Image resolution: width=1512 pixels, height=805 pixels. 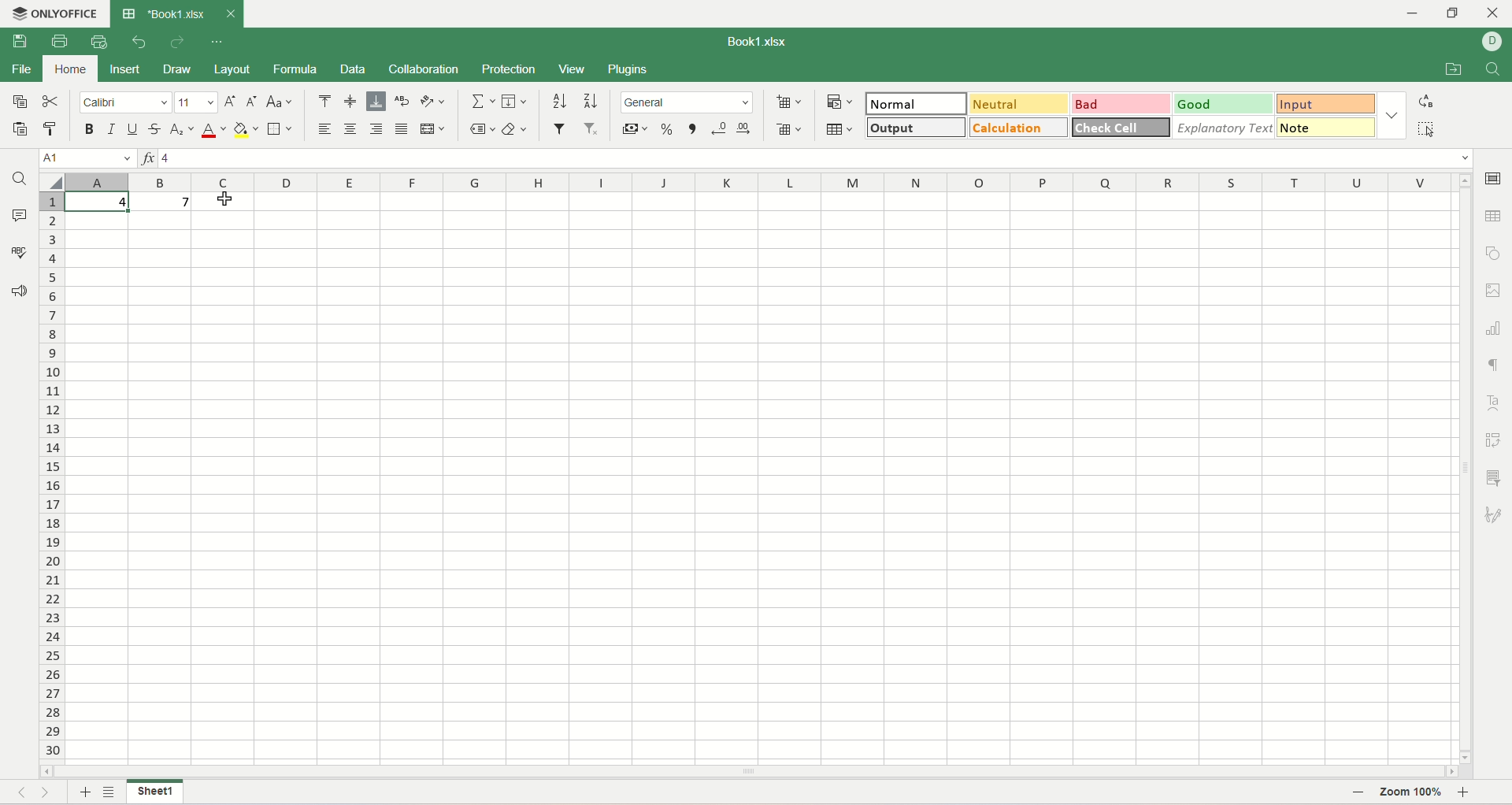 What do you see at coordinates (157, 794) in the screenshot?
I see `sheet name` at bounding box center [157, 794].